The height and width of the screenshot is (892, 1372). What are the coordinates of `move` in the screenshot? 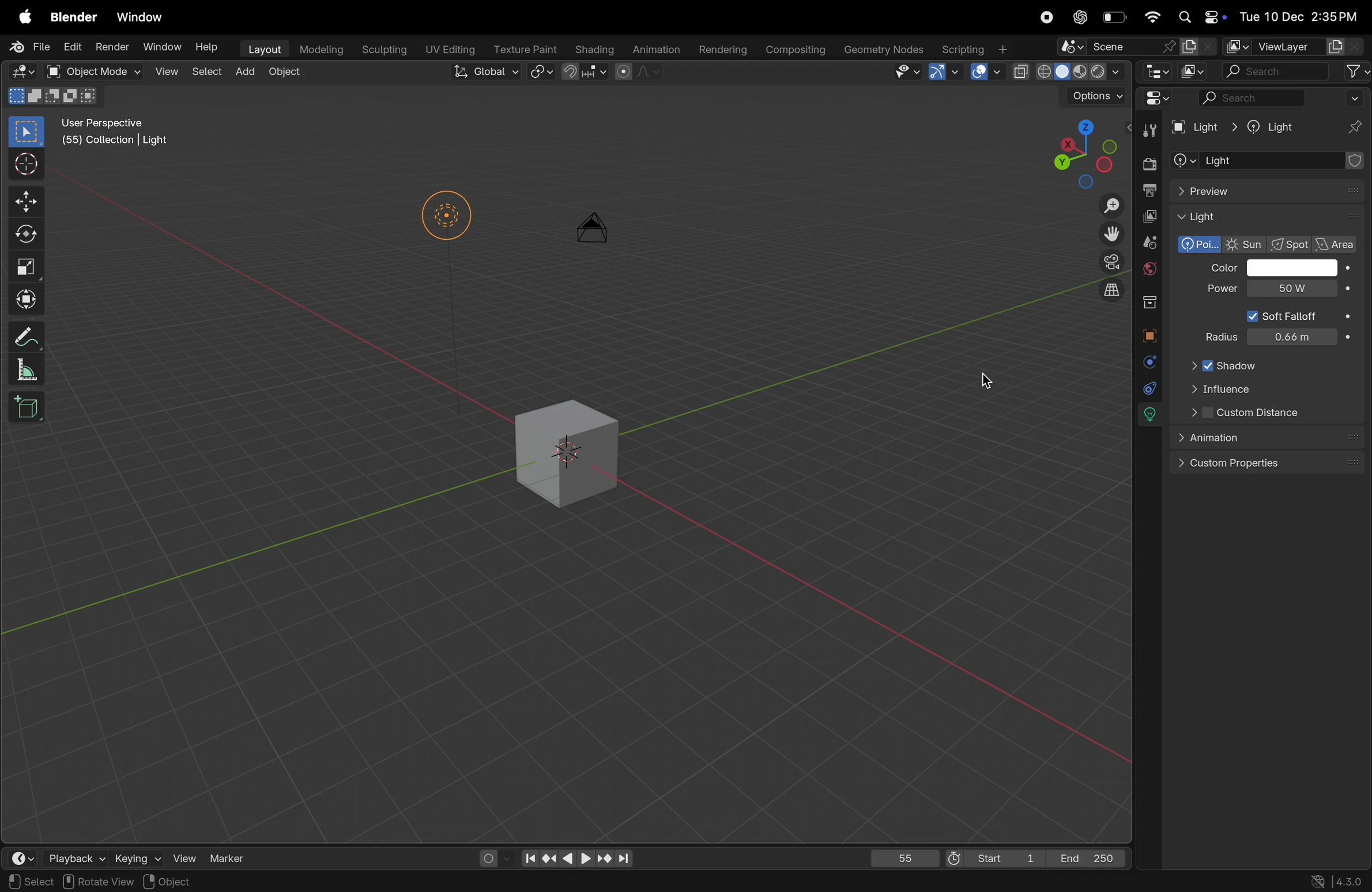 It's located at (25, 202).